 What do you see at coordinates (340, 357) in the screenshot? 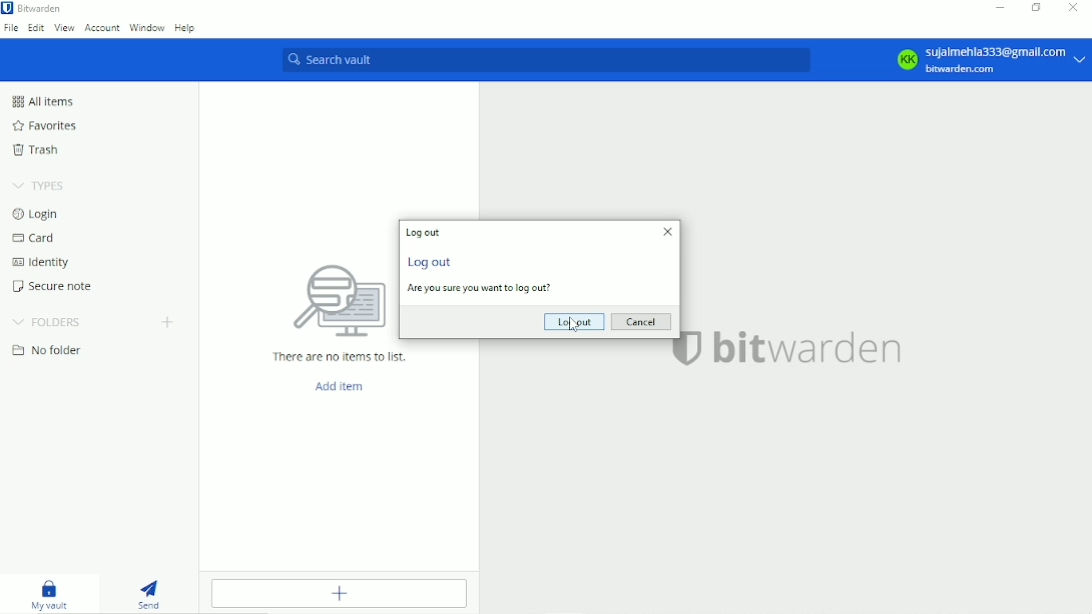
I see `There are no items to list` at bounding box center [340, 357].